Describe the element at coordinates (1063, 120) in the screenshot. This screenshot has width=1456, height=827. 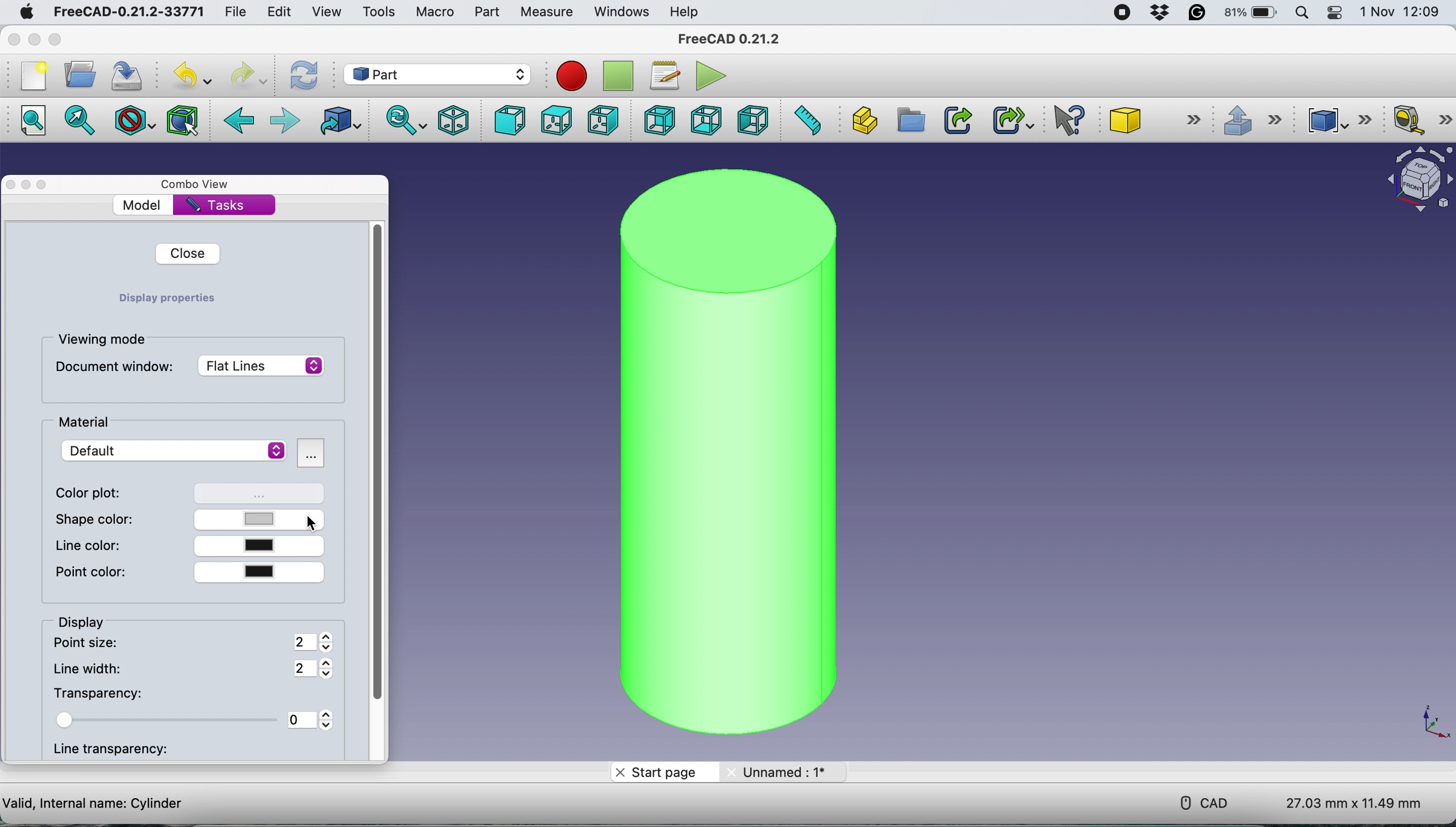
I see `what's this` at that location.